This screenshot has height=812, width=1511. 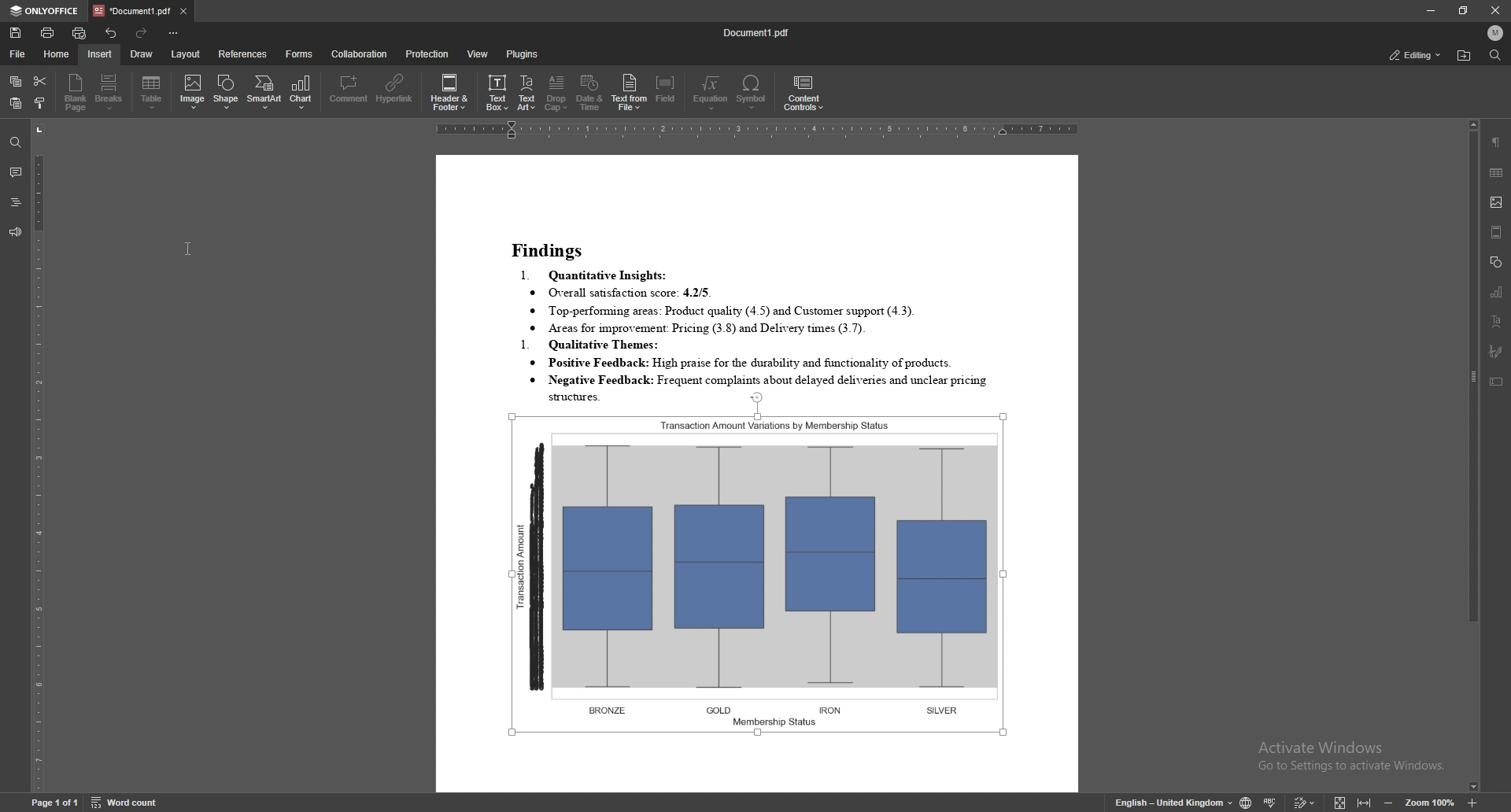 What do you see at coordinates (1429, 10) in the screenshot?
I see `minimize` at bounding box center [1429, 10].